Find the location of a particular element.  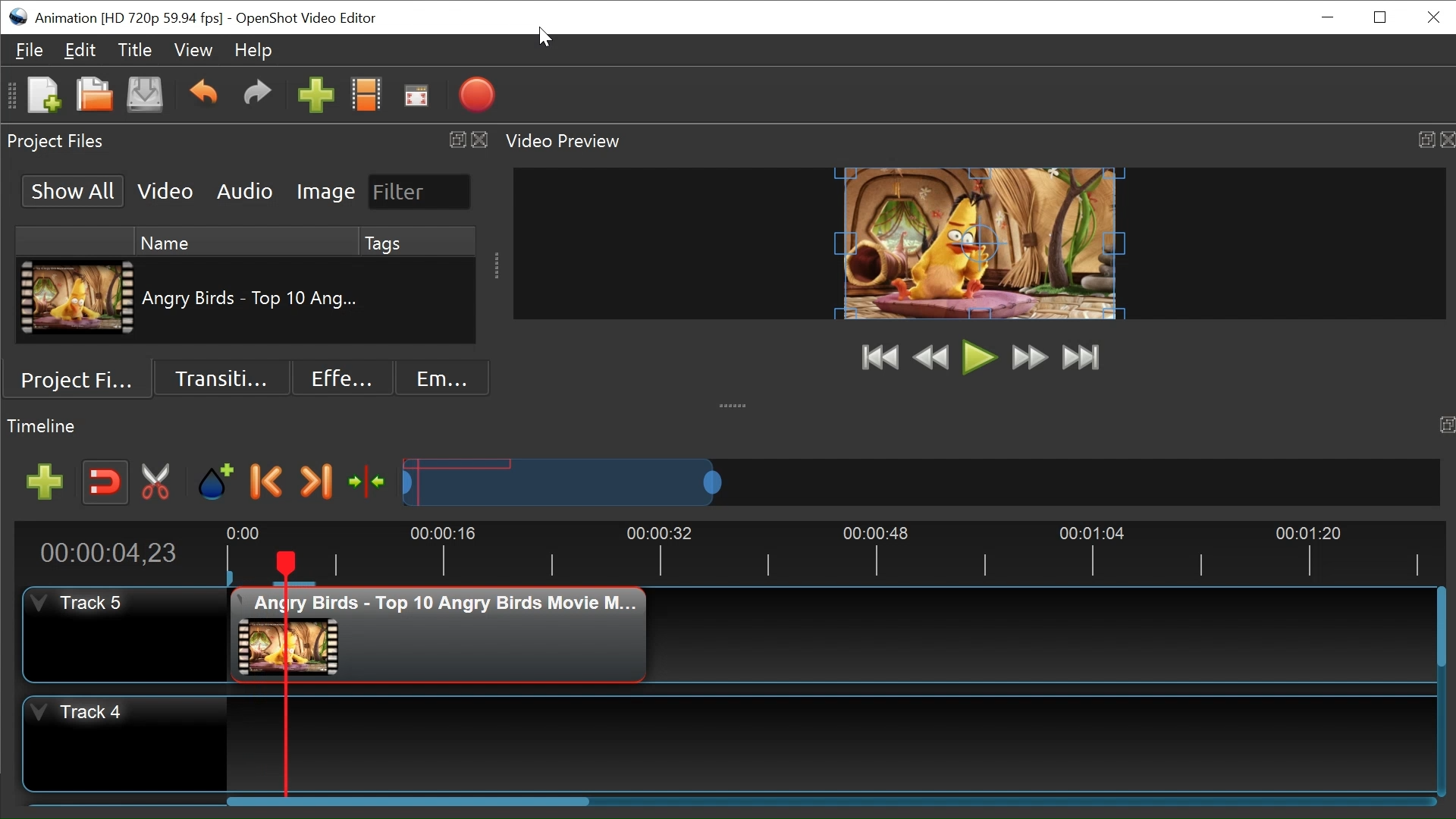

Title is located at coordinates (134, 49).